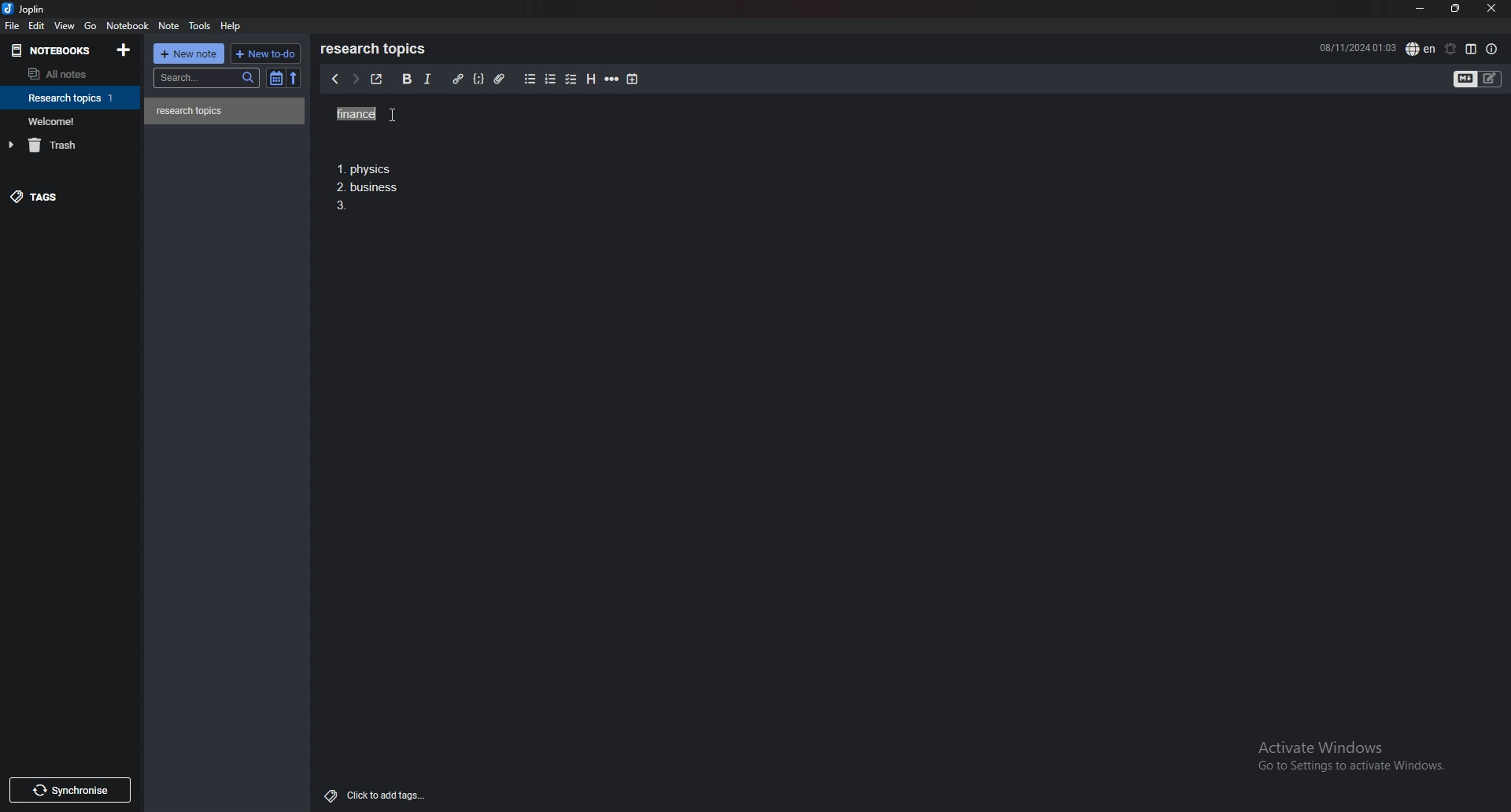  What do you see at coordinates (1357, 47) in the screenshot?
I see `08/11/2024 01:02` at bounding box center [1357, 47].